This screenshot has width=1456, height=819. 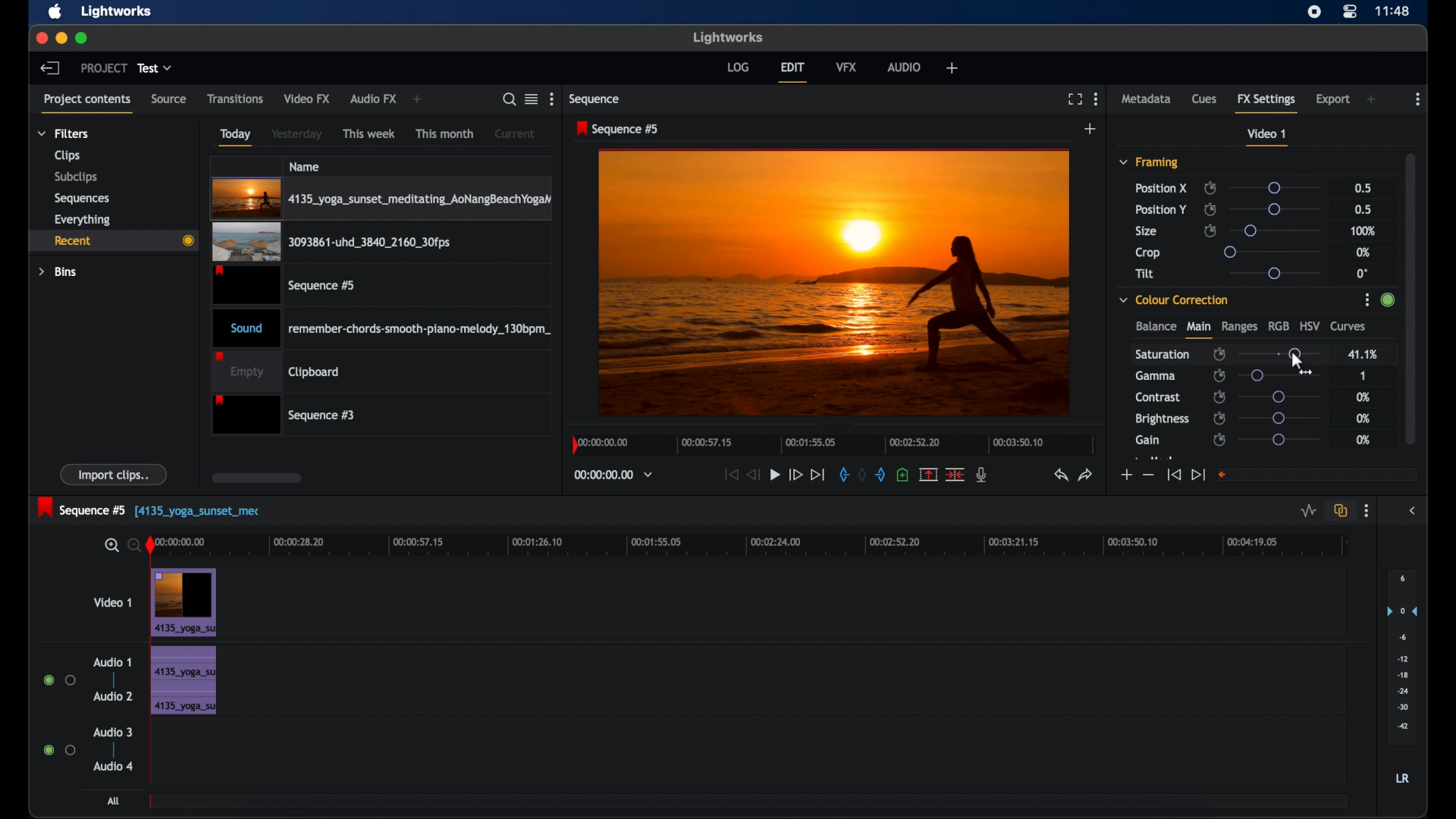 I want to click on lightworks, so click(x=117, y=12).